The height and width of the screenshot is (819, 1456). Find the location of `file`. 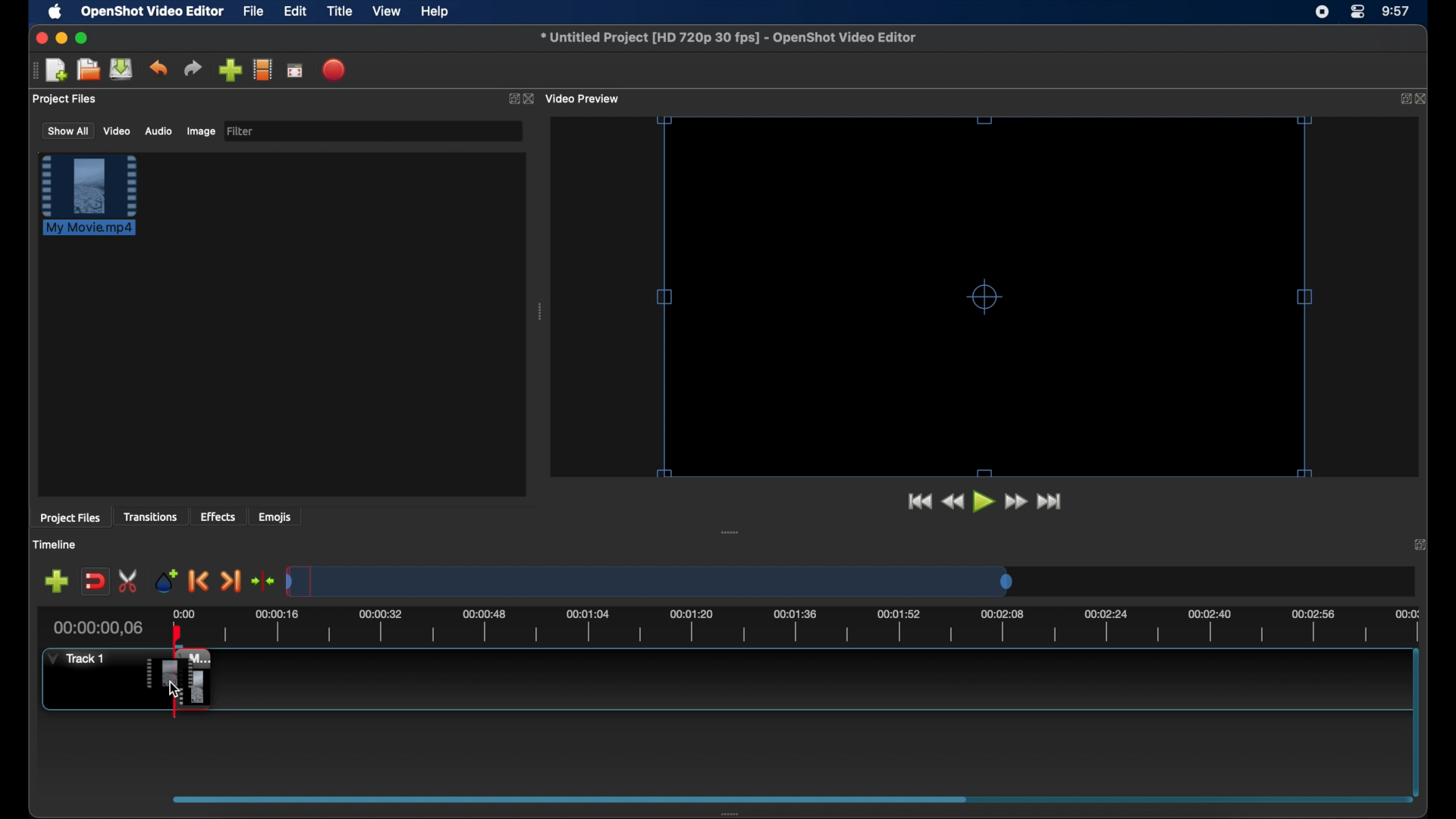

file is located at coordinates (254, 12).